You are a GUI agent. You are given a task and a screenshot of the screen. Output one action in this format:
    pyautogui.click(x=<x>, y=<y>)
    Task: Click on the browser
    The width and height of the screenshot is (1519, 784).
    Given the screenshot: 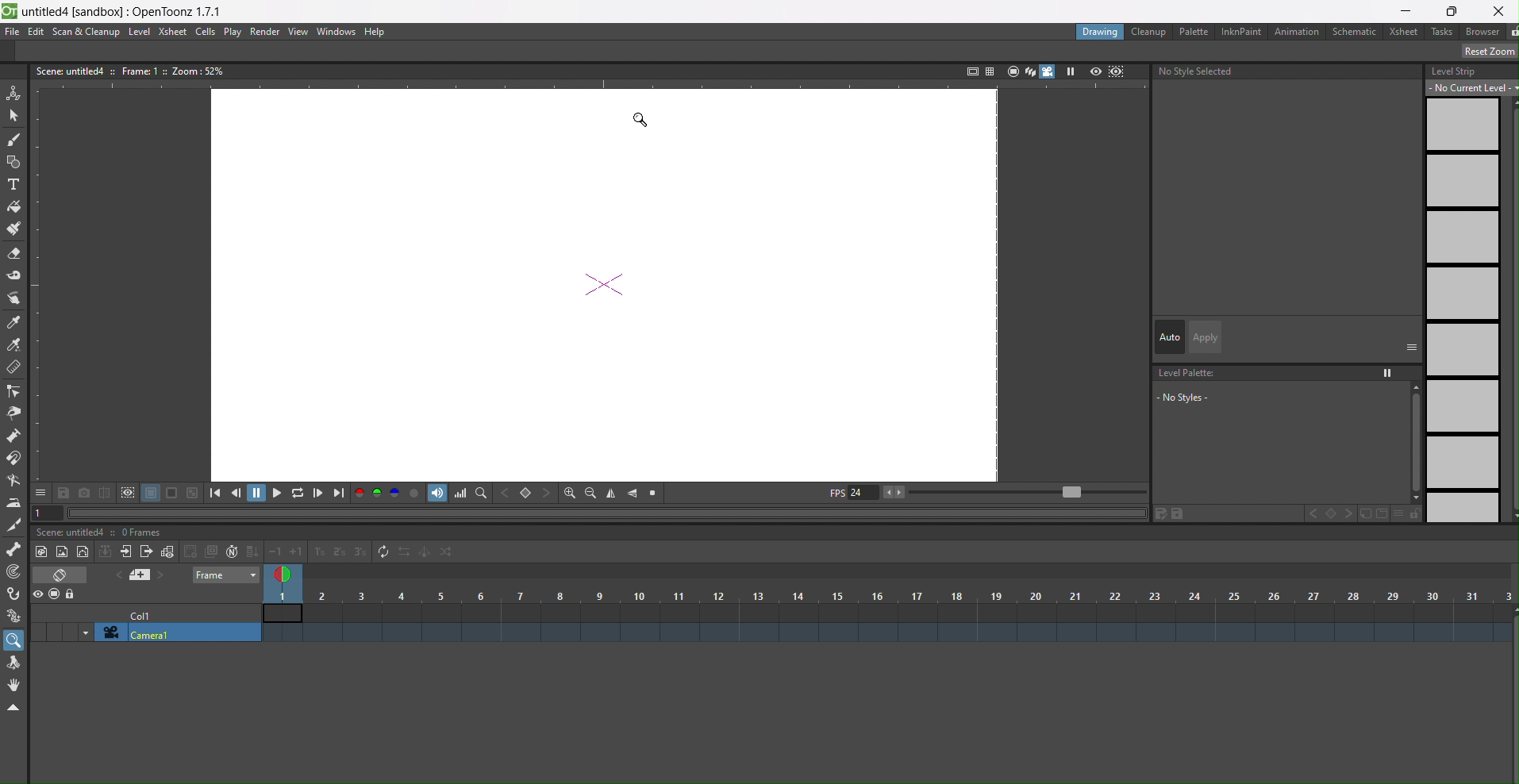 What is the action you would take?
    pyautogui.click(x=1484, y=33)
    